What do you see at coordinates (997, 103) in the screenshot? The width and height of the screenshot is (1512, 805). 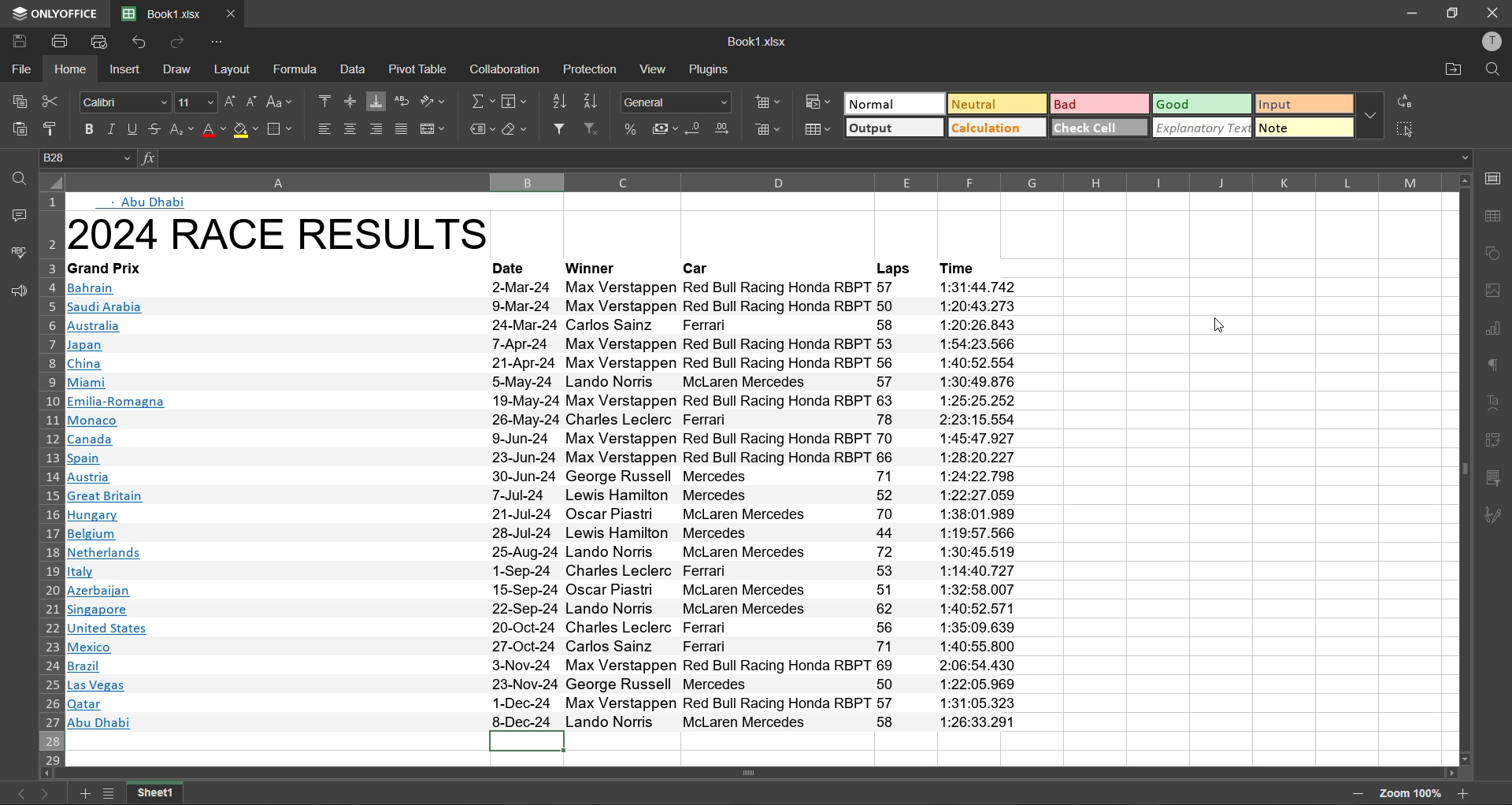 I see `neutral` at bounding box center [997, 103].